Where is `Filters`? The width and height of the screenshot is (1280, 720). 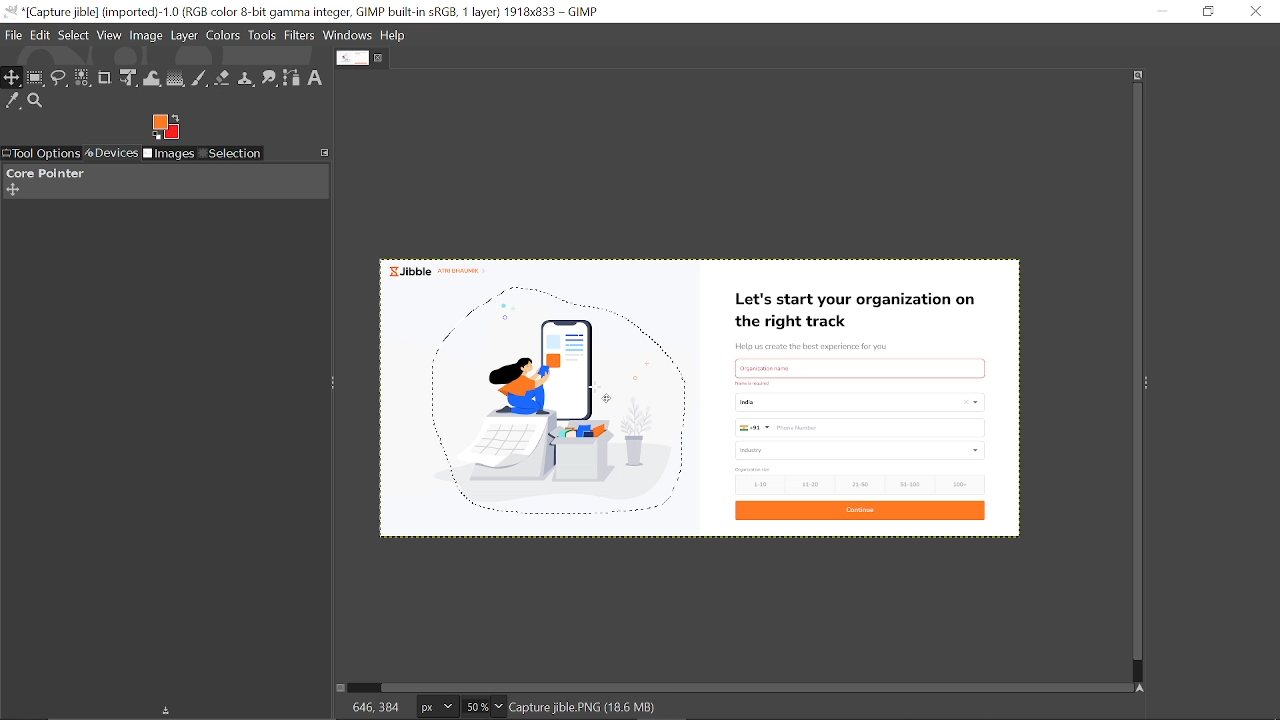 Filters is located at coordinates (300, 36).